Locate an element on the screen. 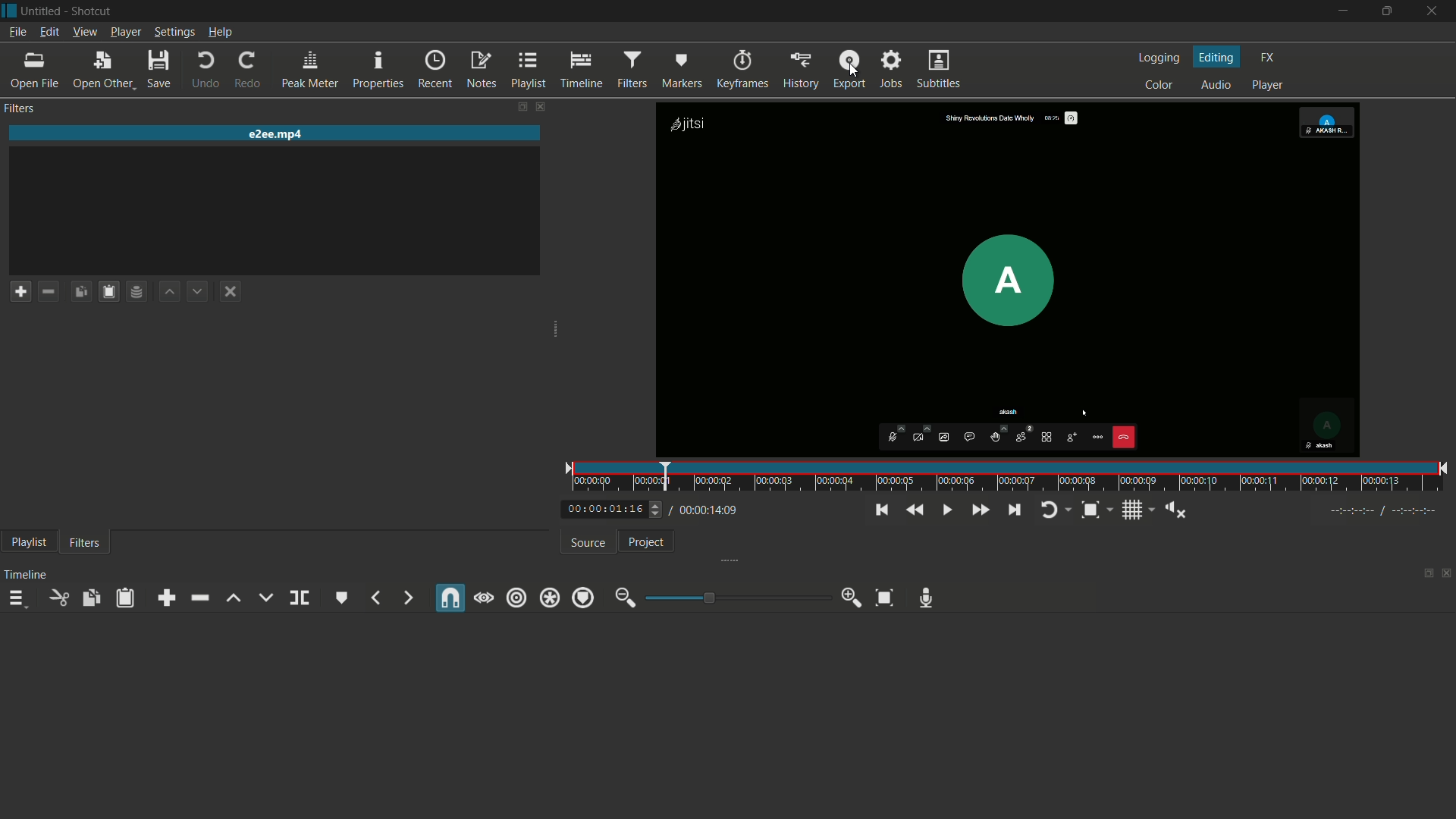 The height and width of the screenshot is (819, 1456). zoom timeline to fit is located at coordinates (885, 598).